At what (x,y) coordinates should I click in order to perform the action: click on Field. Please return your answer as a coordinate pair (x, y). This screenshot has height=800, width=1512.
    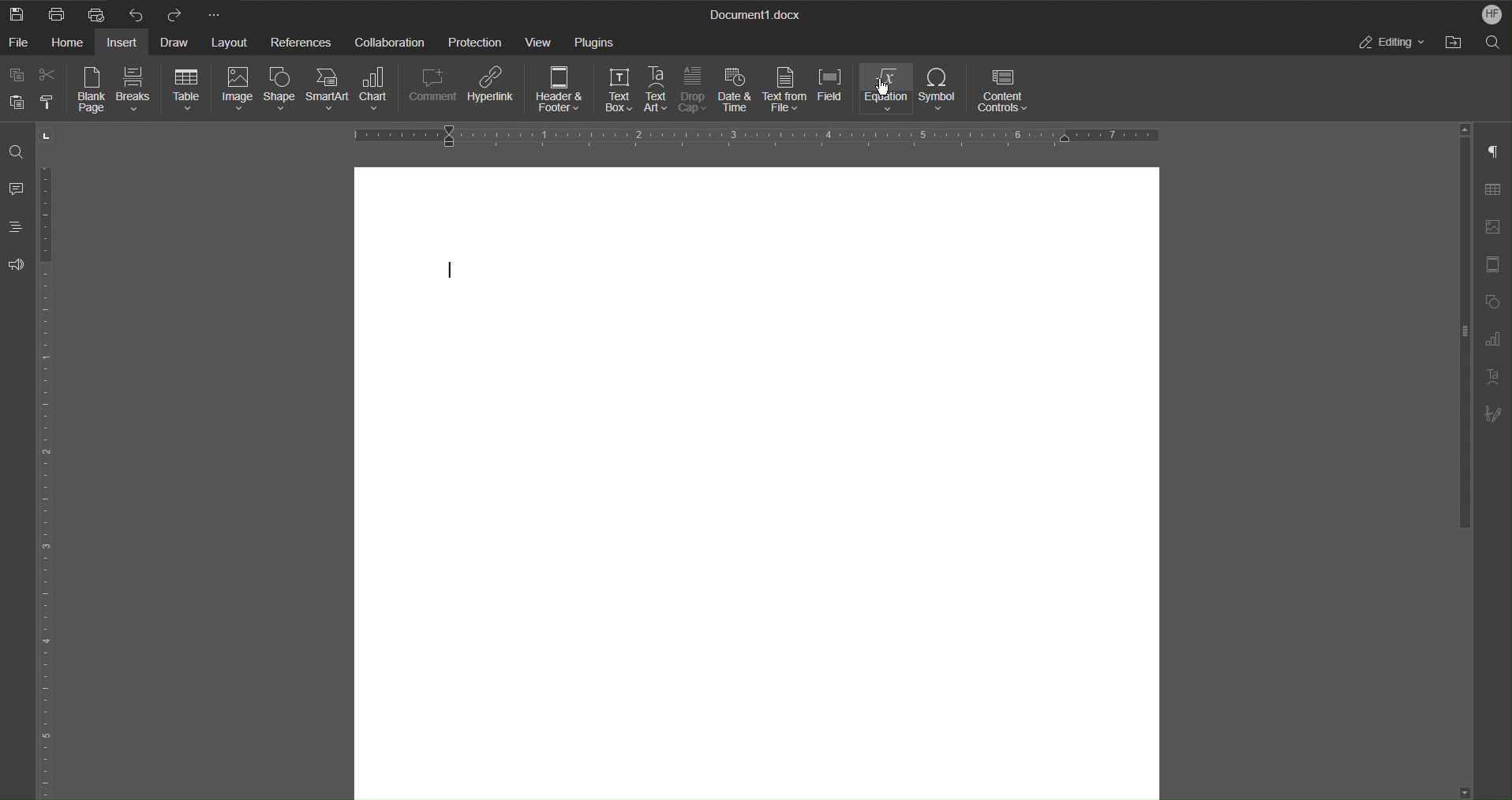
    Looking at the image, I should click on (833, 92).